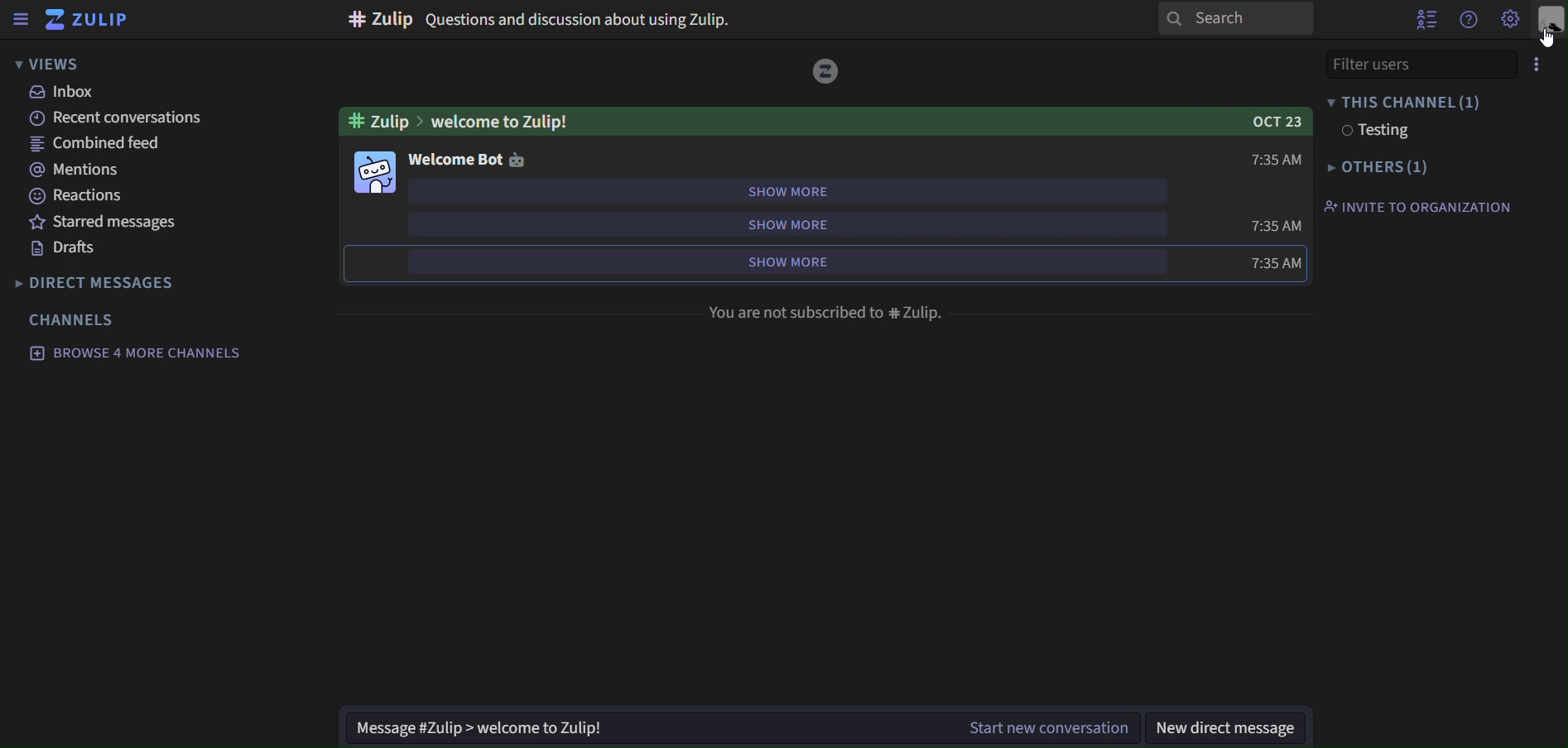 The width and height of the screenshot is (1568, 748). Describe the element at coordinates (539, 19) in the screenshot. I see `#zulip questions and discussions about using zulip` at that location.